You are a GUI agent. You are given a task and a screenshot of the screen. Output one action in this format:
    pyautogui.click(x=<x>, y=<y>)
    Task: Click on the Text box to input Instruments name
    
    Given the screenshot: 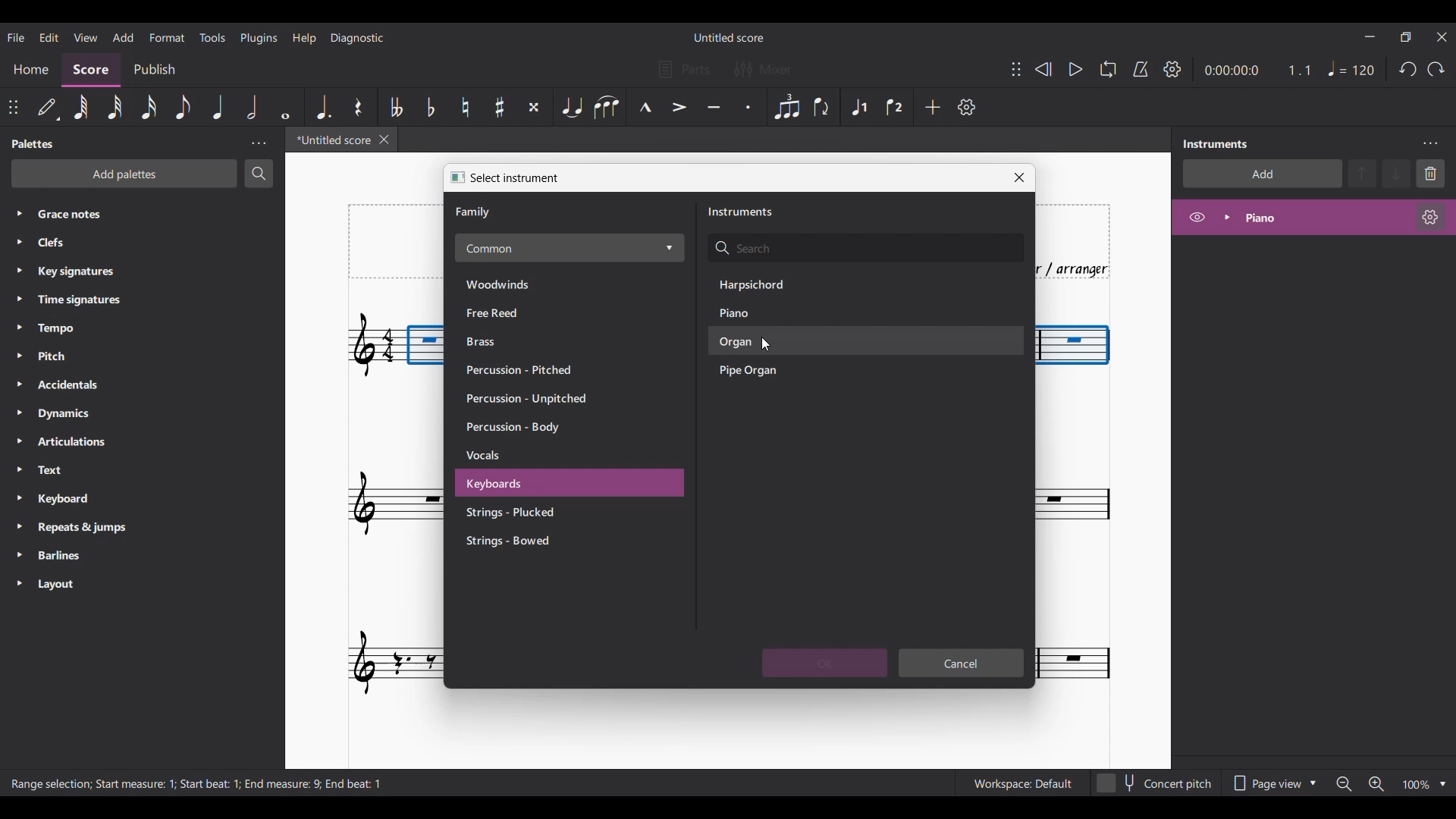 What is the action you would take?
    pyautogui.click(x=865, y=249)
    